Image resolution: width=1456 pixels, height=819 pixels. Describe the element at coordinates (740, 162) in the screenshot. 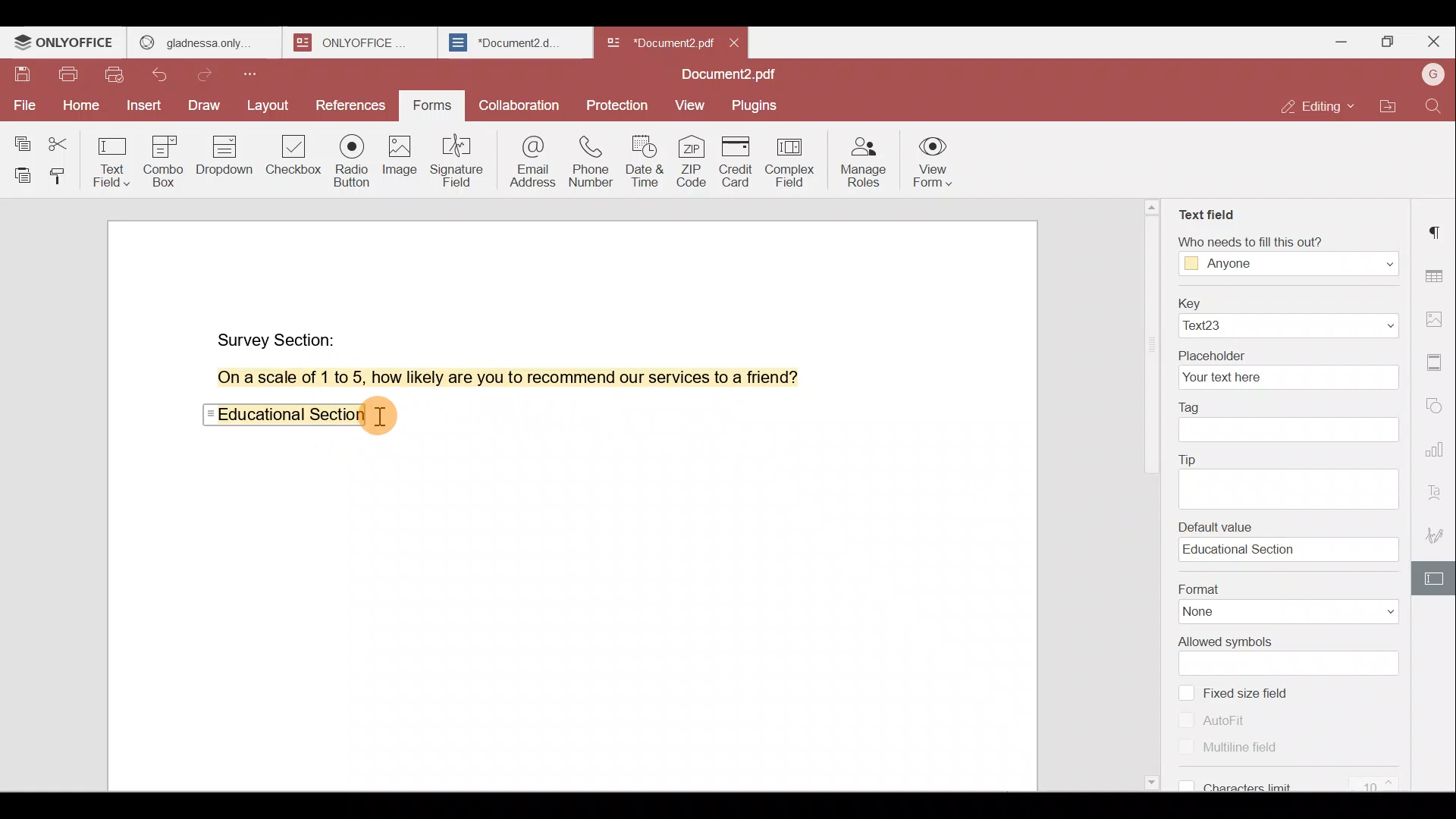

I see `Credit card` at that location.